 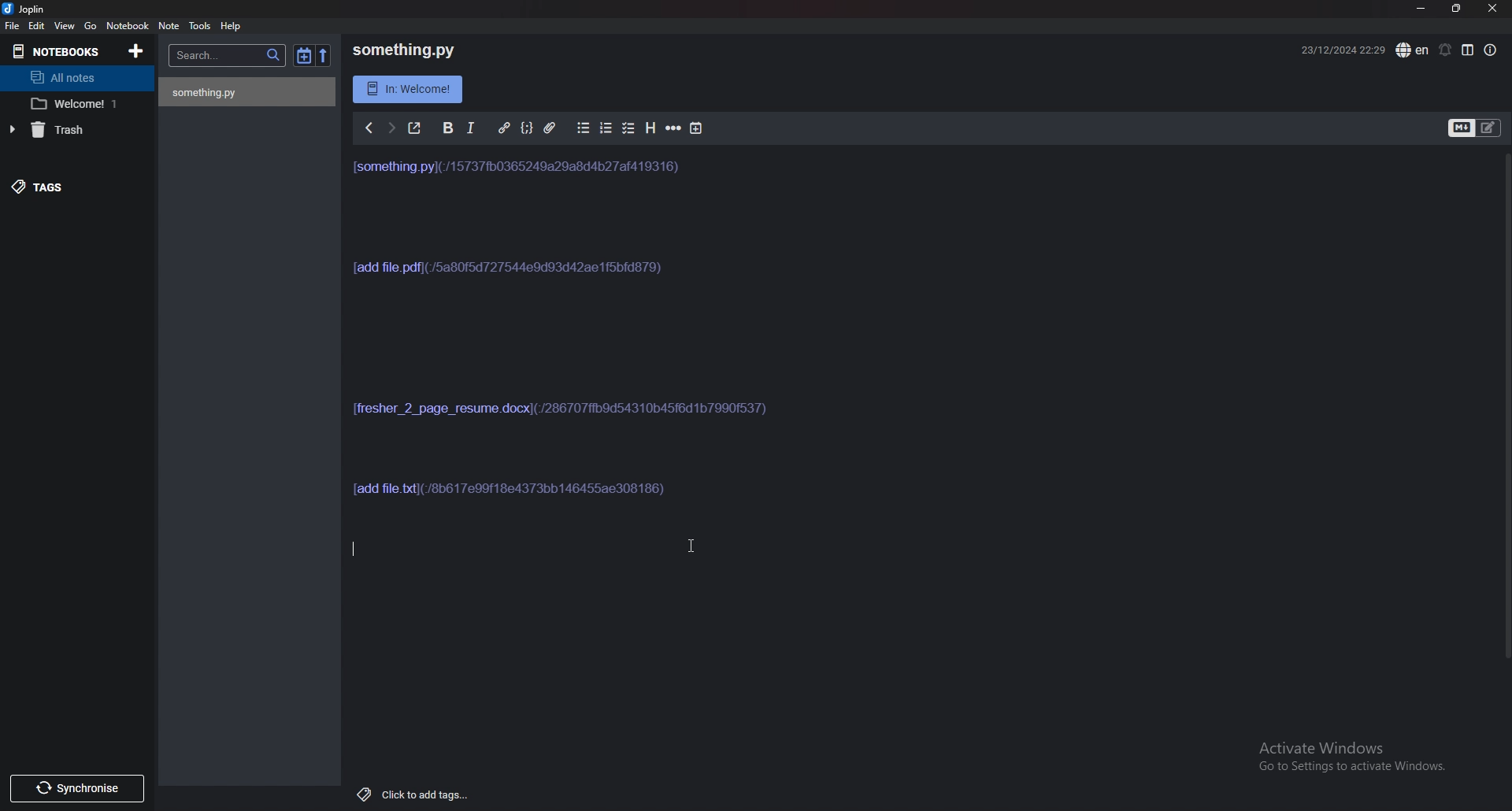 I want to click on Search, so click(x=226, y=57).